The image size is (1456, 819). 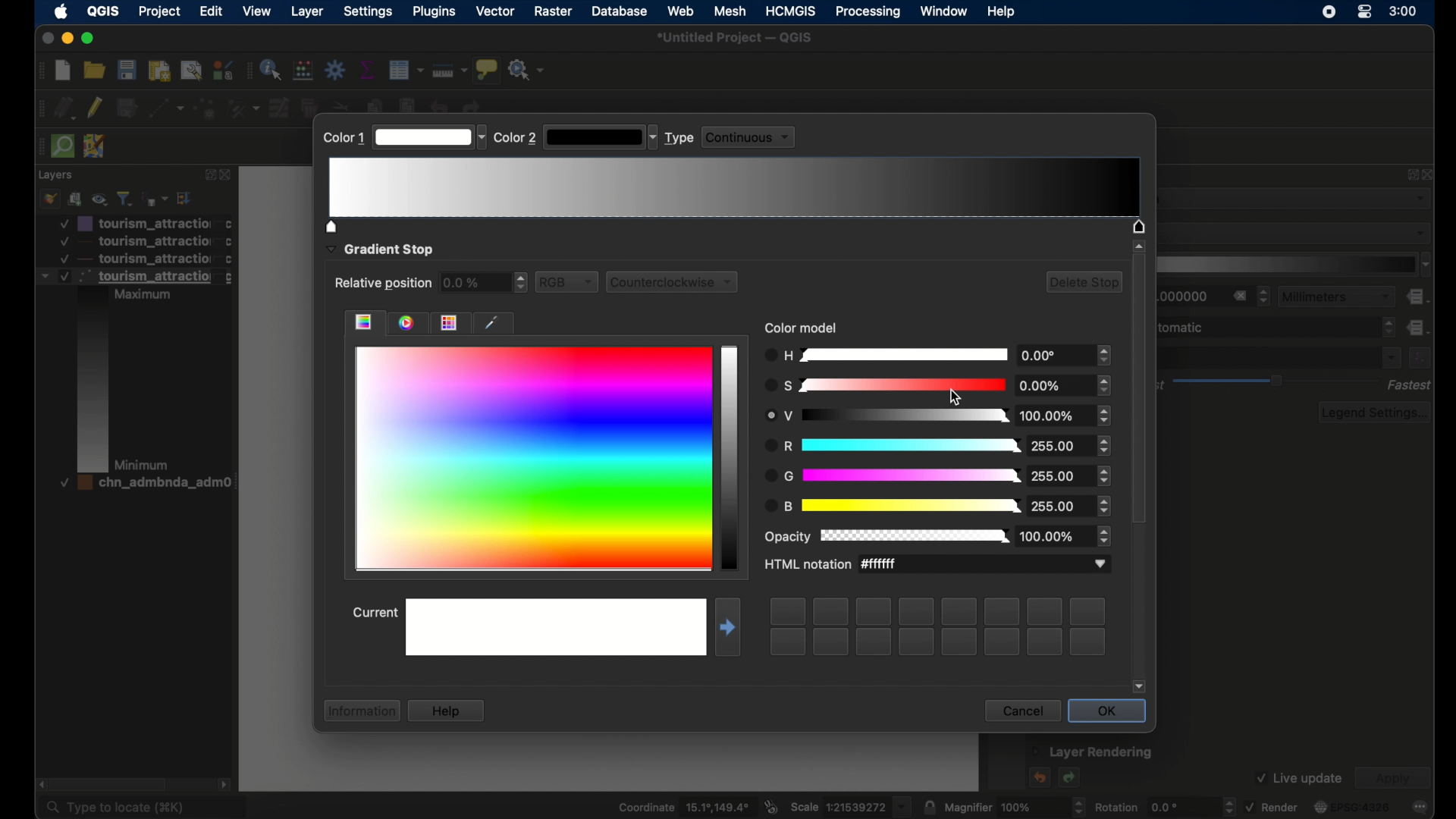 I want to click on raster, so click(x=554, y=11).